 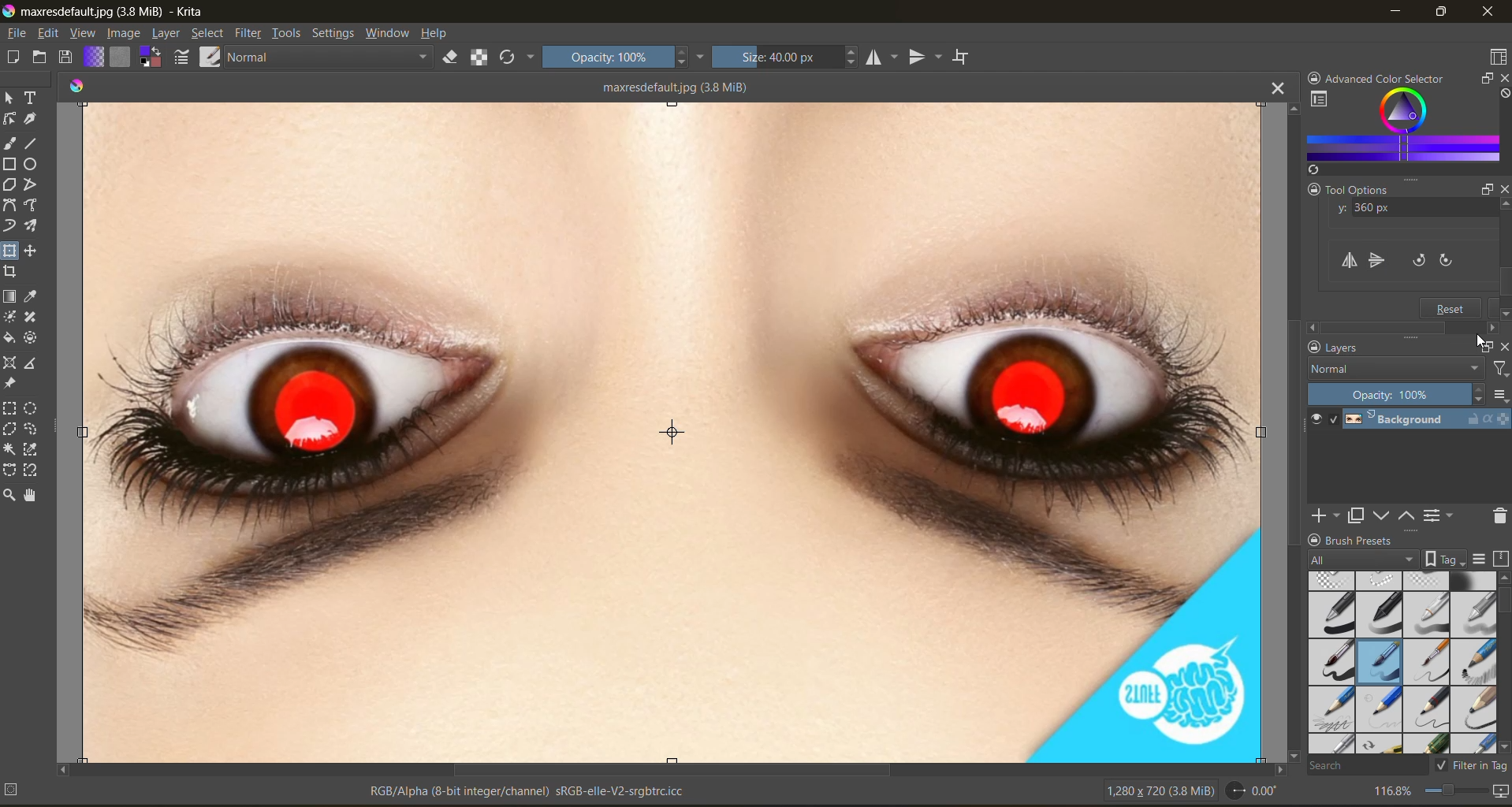 What do you see at coordinates (11, 494) in the screenshot?
I see `tool` at bounding box center [11, 494].